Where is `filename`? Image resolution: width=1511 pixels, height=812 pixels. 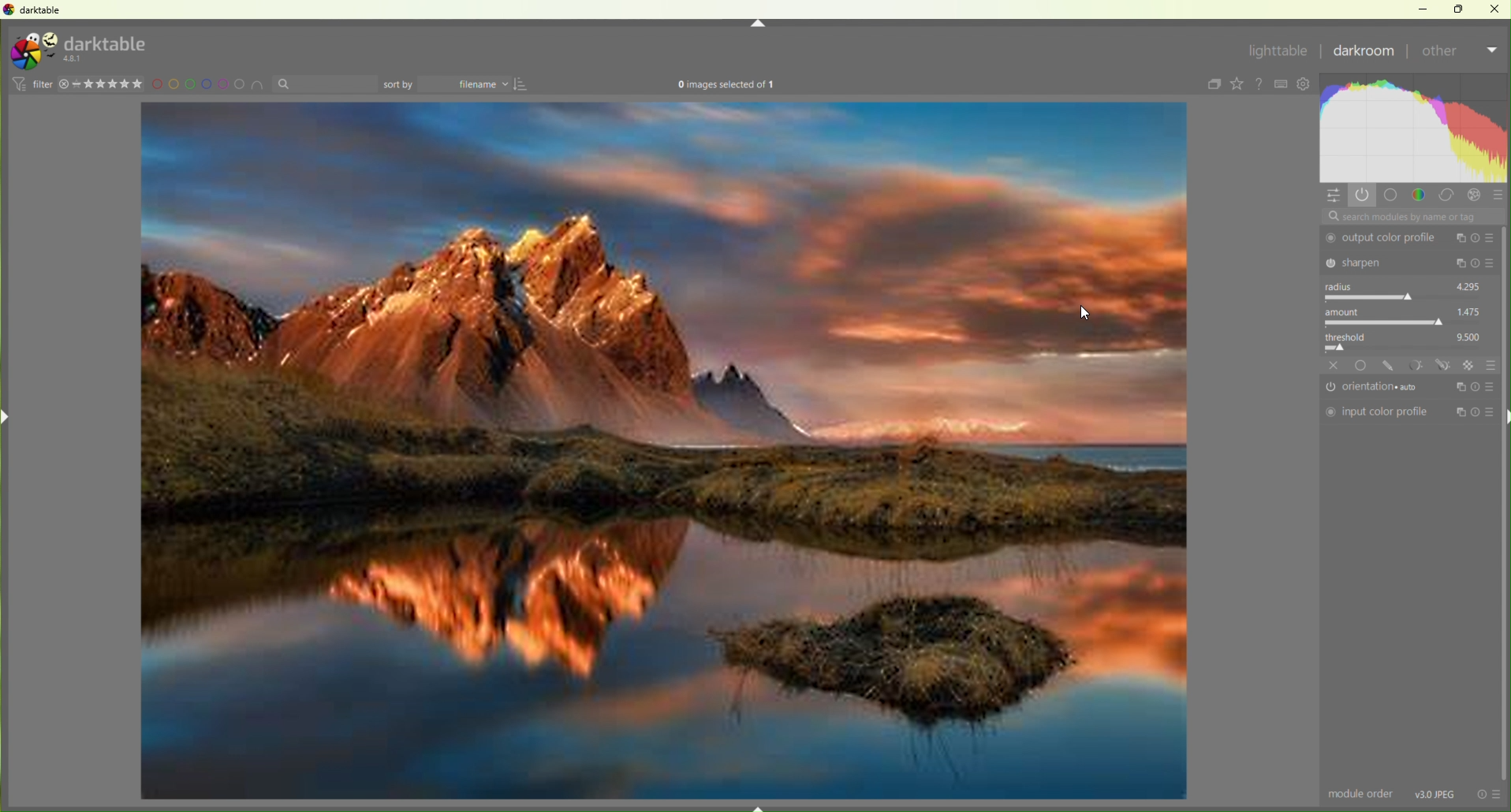 filename is located at coordinates (468, 85).